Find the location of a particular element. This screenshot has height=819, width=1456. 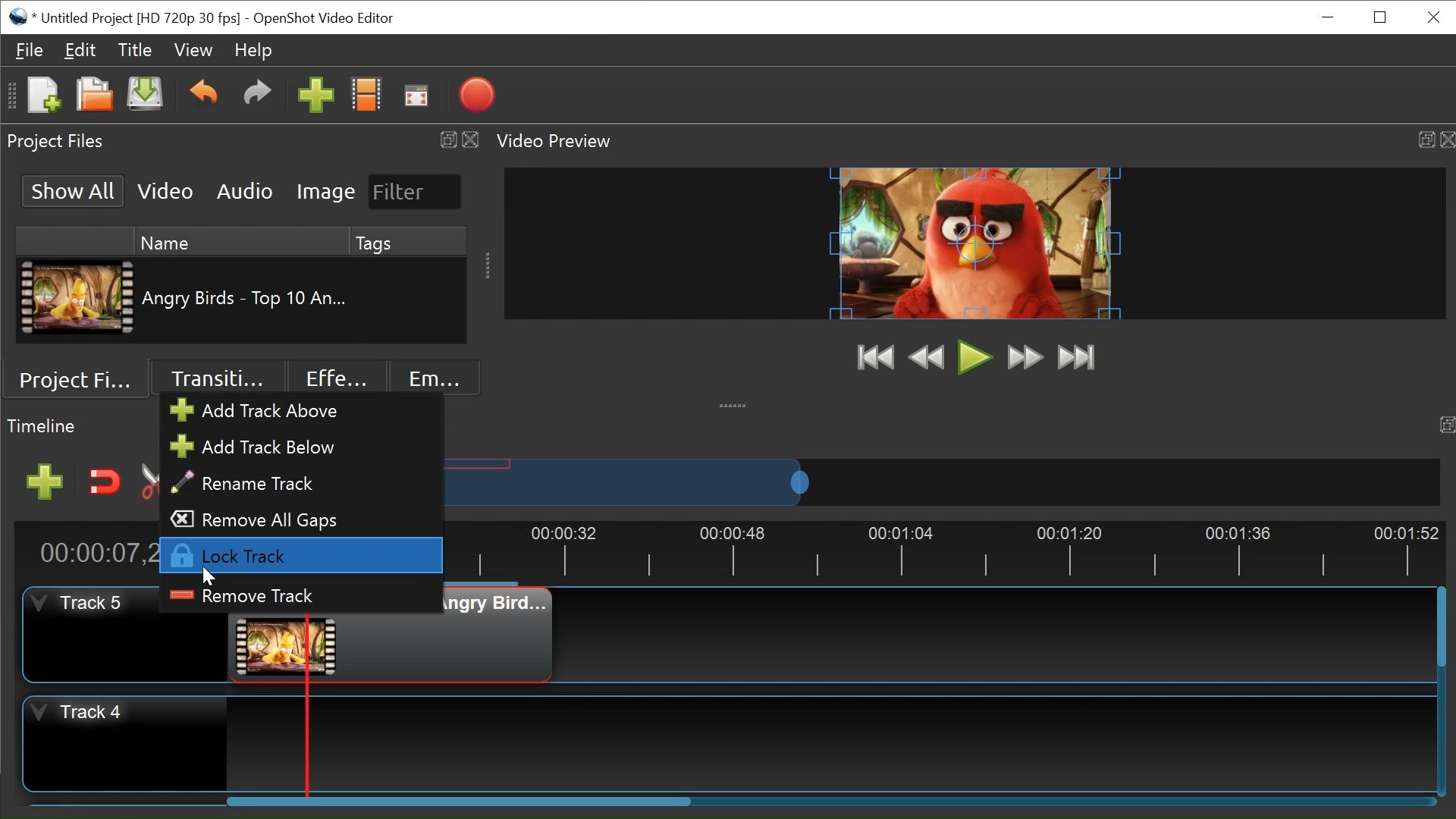

Clip Nmae is located at coordinates (249, 298).